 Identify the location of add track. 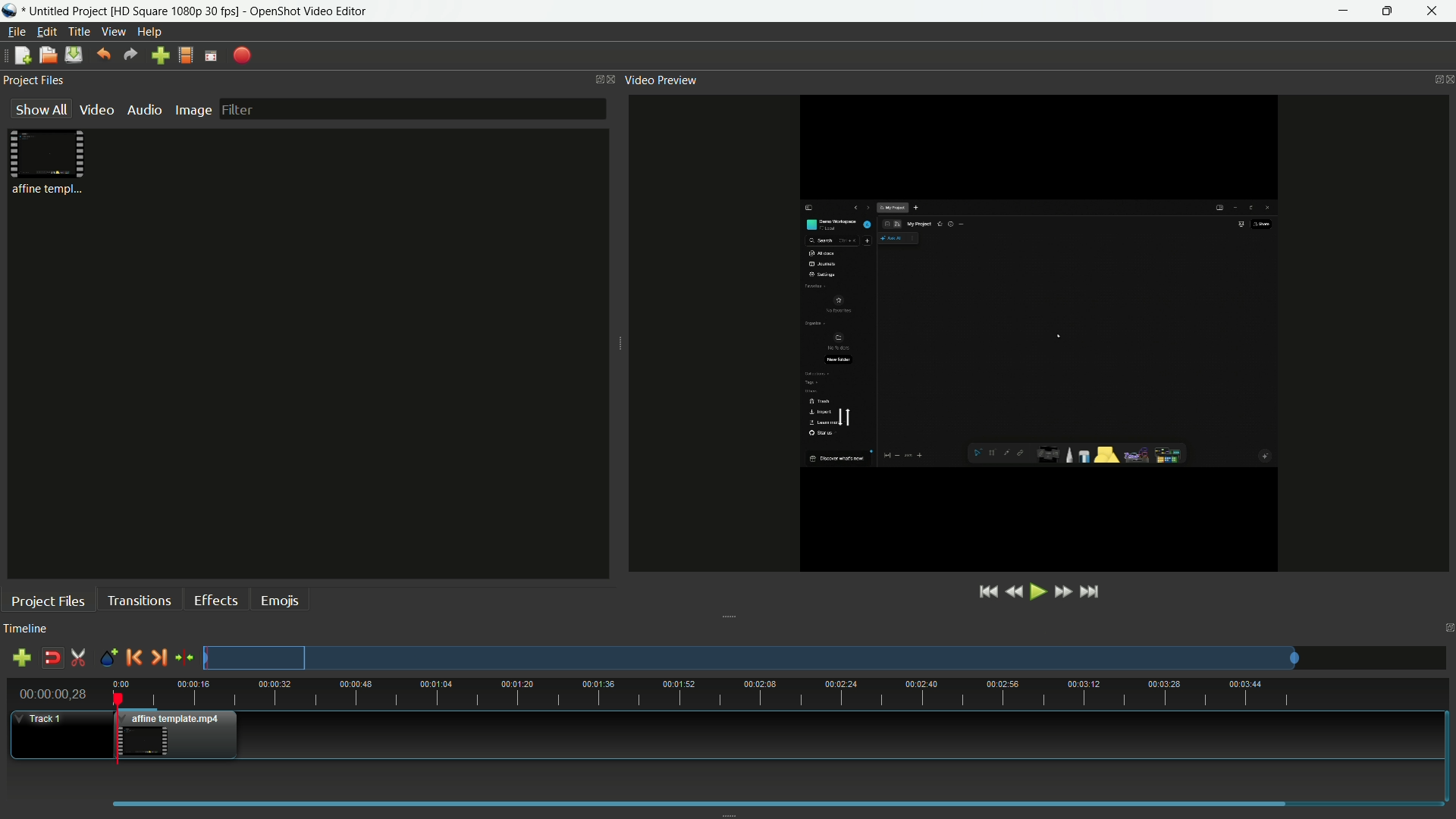
(21, 660).